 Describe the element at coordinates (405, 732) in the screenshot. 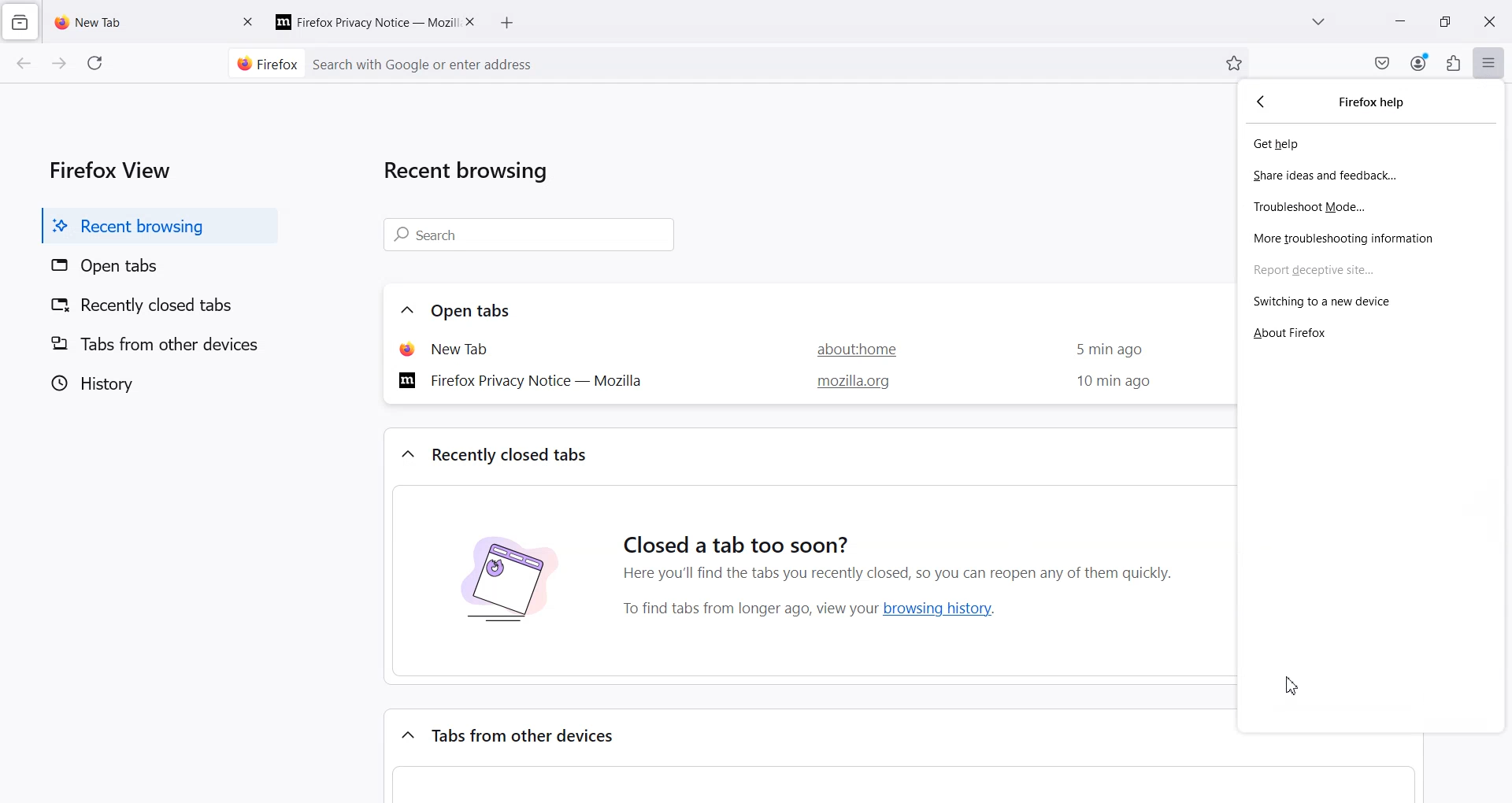

I see `Drop down box of tabs of other devices` at that location.